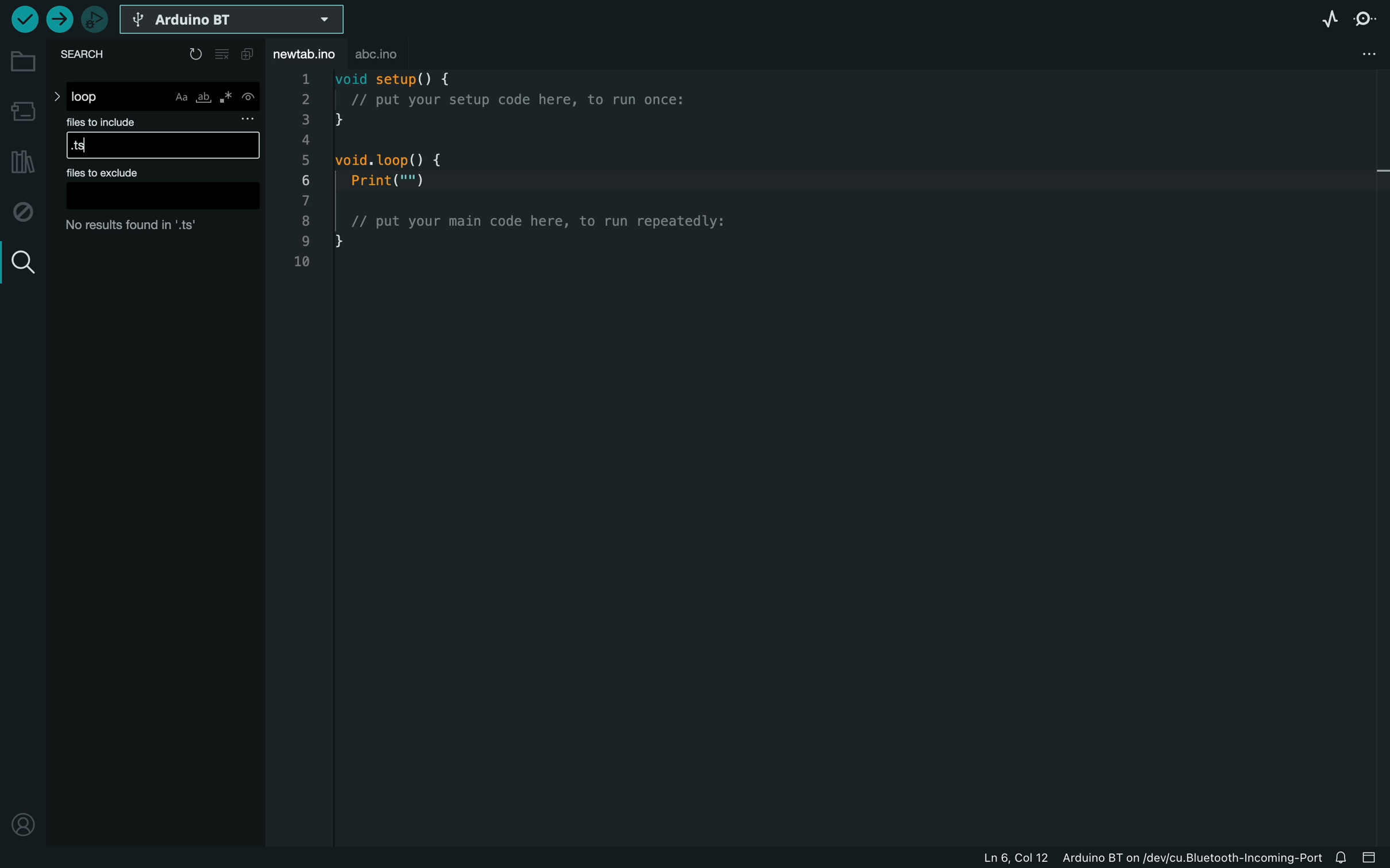 This screenshot has height=868, width=1390. What do you see at coordinates (308, 56) in the screenshot?
I see `file tab` at bounding box center [308, 56].